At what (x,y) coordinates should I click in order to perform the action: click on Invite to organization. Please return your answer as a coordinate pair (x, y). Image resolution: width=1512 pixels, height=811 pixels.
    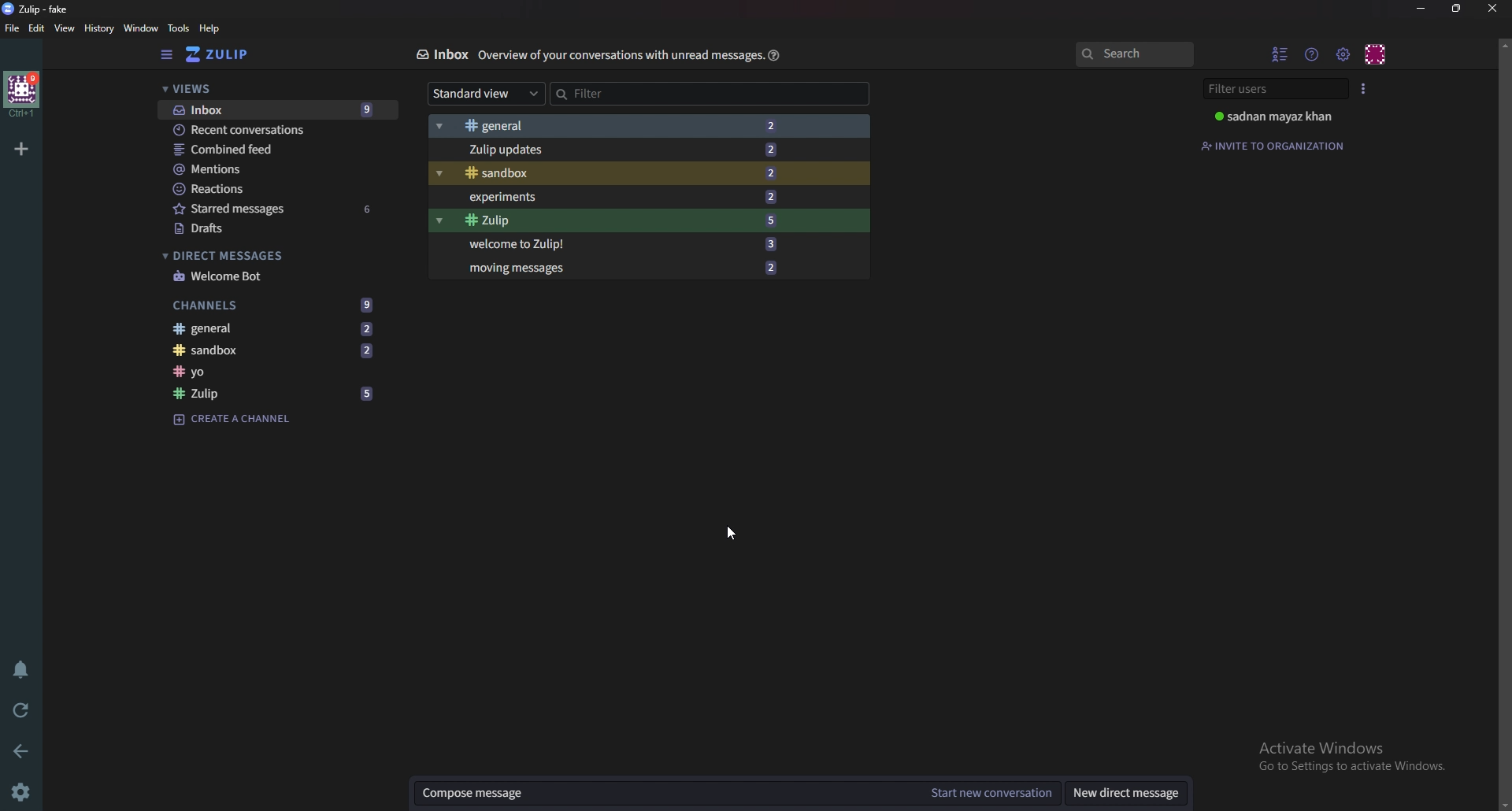
    Looking at the image, I should click on (1278, 146).